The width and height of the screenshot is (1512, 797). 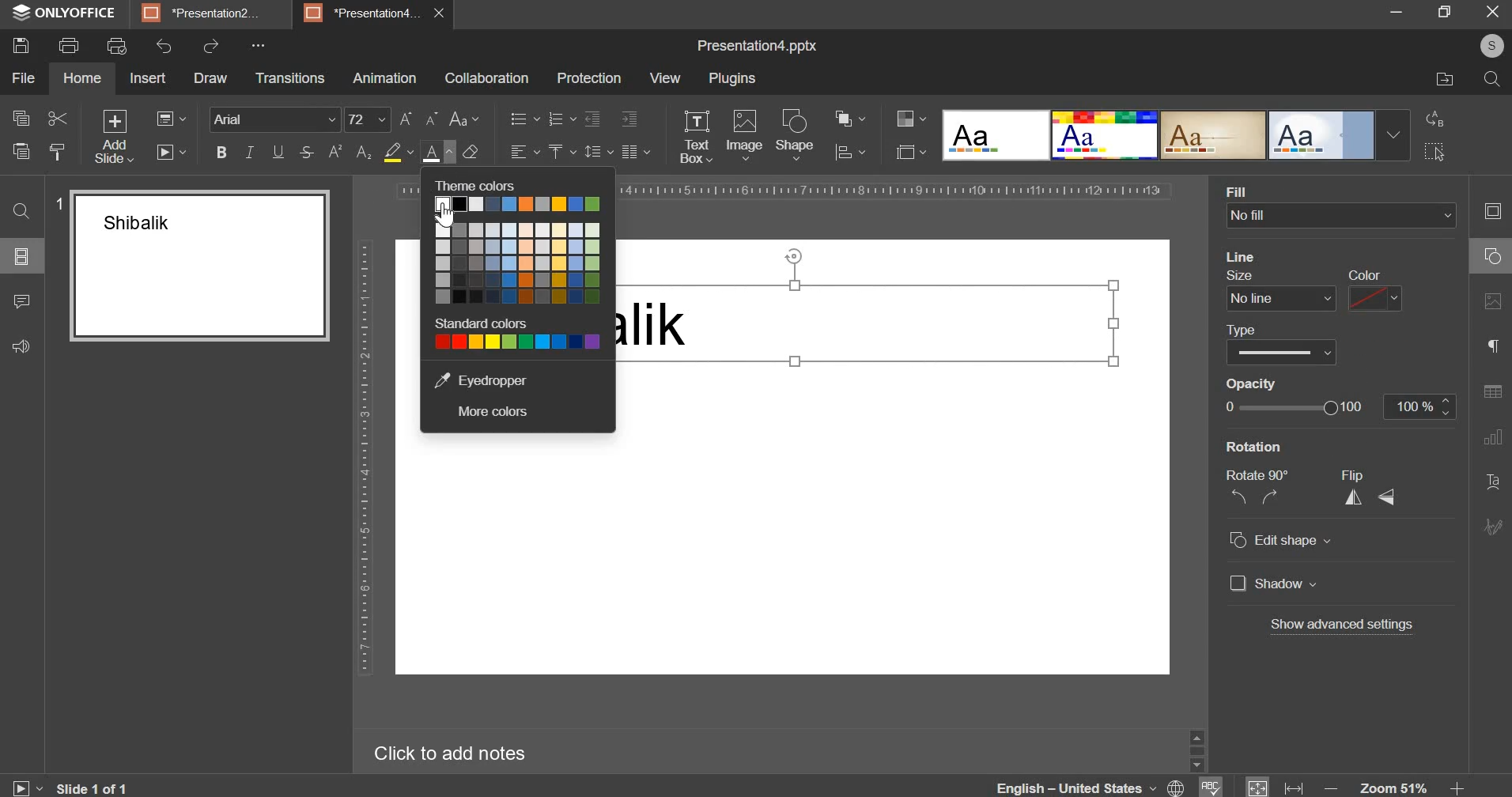 What do you see at coordinates (1175, 136) in the screenshot?
I see `design` at bounding box center [1175, 136].